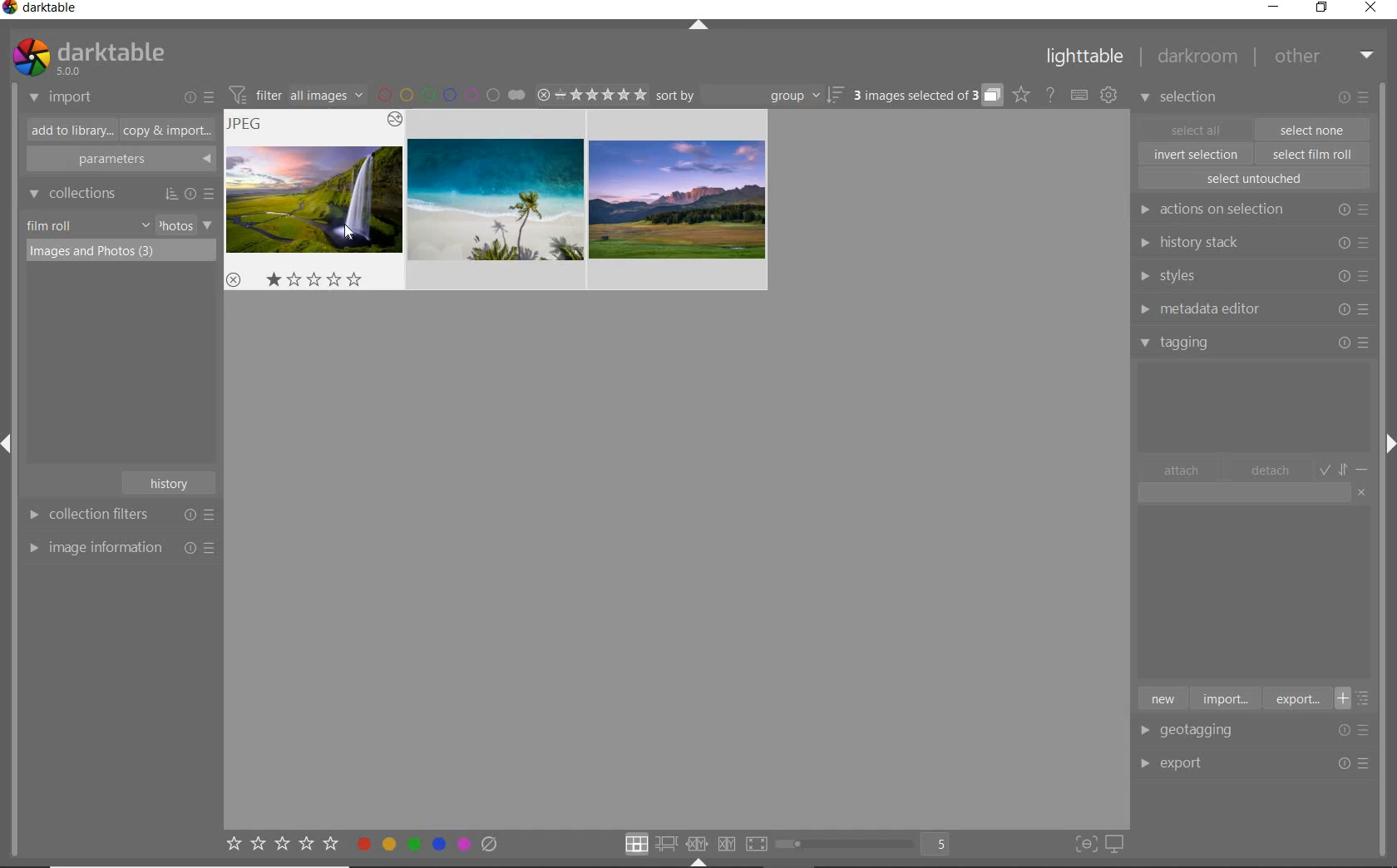  I want to click on toggle list, so click(1358, 698).